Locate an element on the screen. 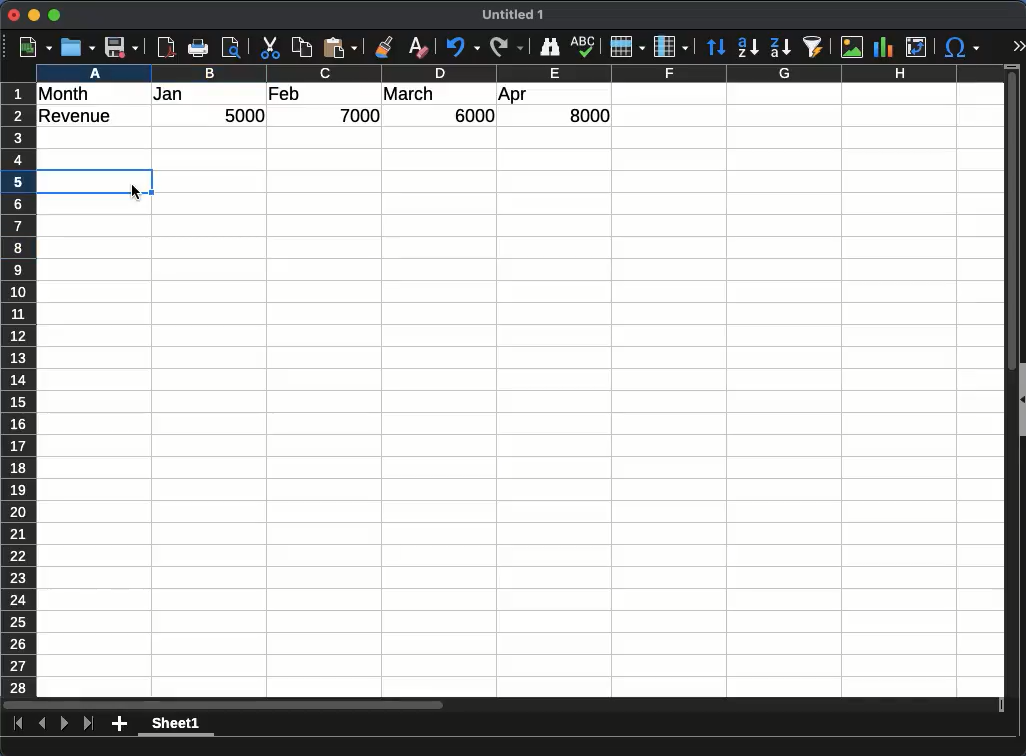 This screenshot has height=756, width=1026. 6000 is located at coordinates (471, 115).